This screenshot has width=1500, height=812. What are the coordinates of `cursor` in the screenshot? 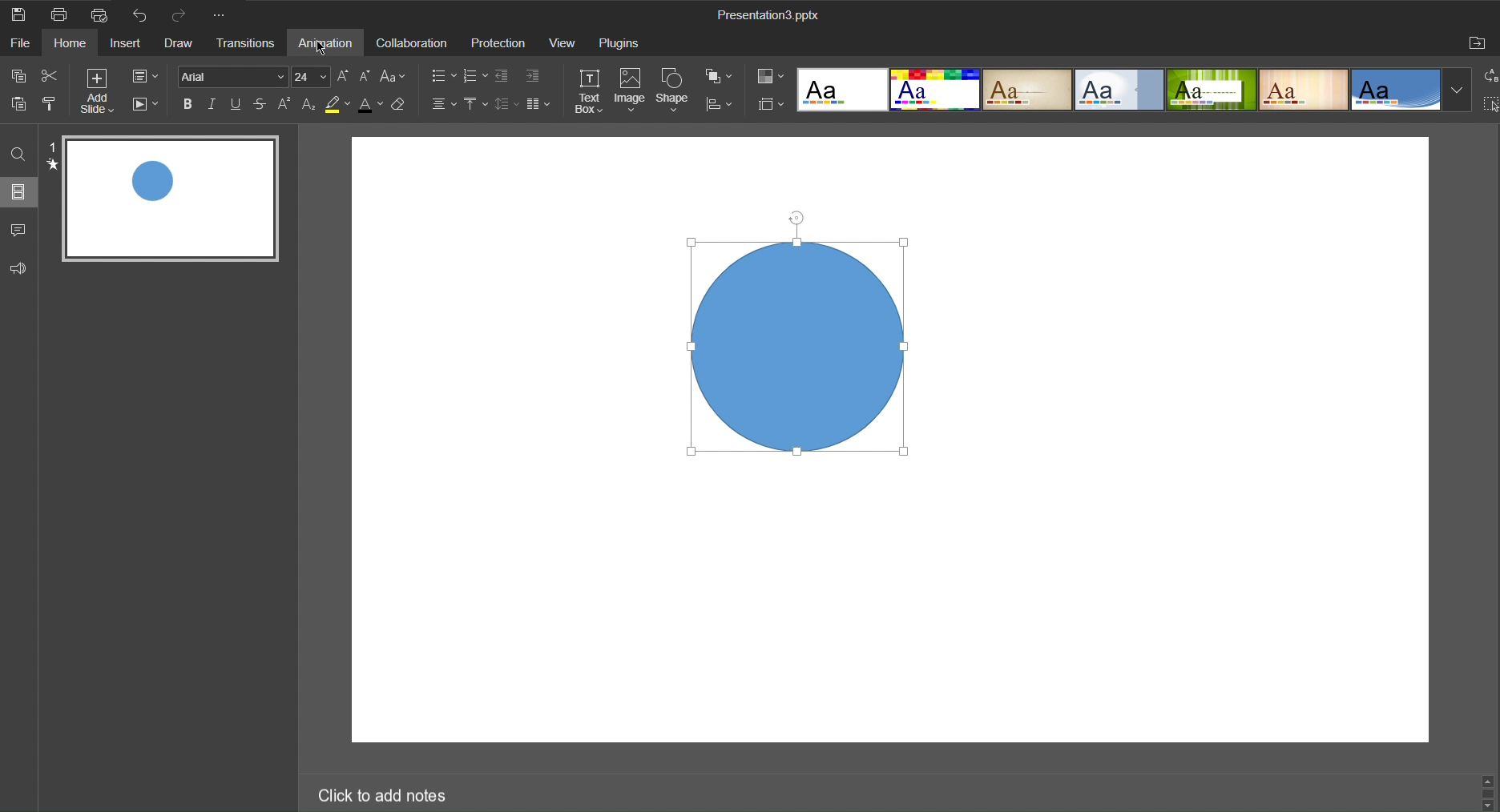 It's located at (321, 50).